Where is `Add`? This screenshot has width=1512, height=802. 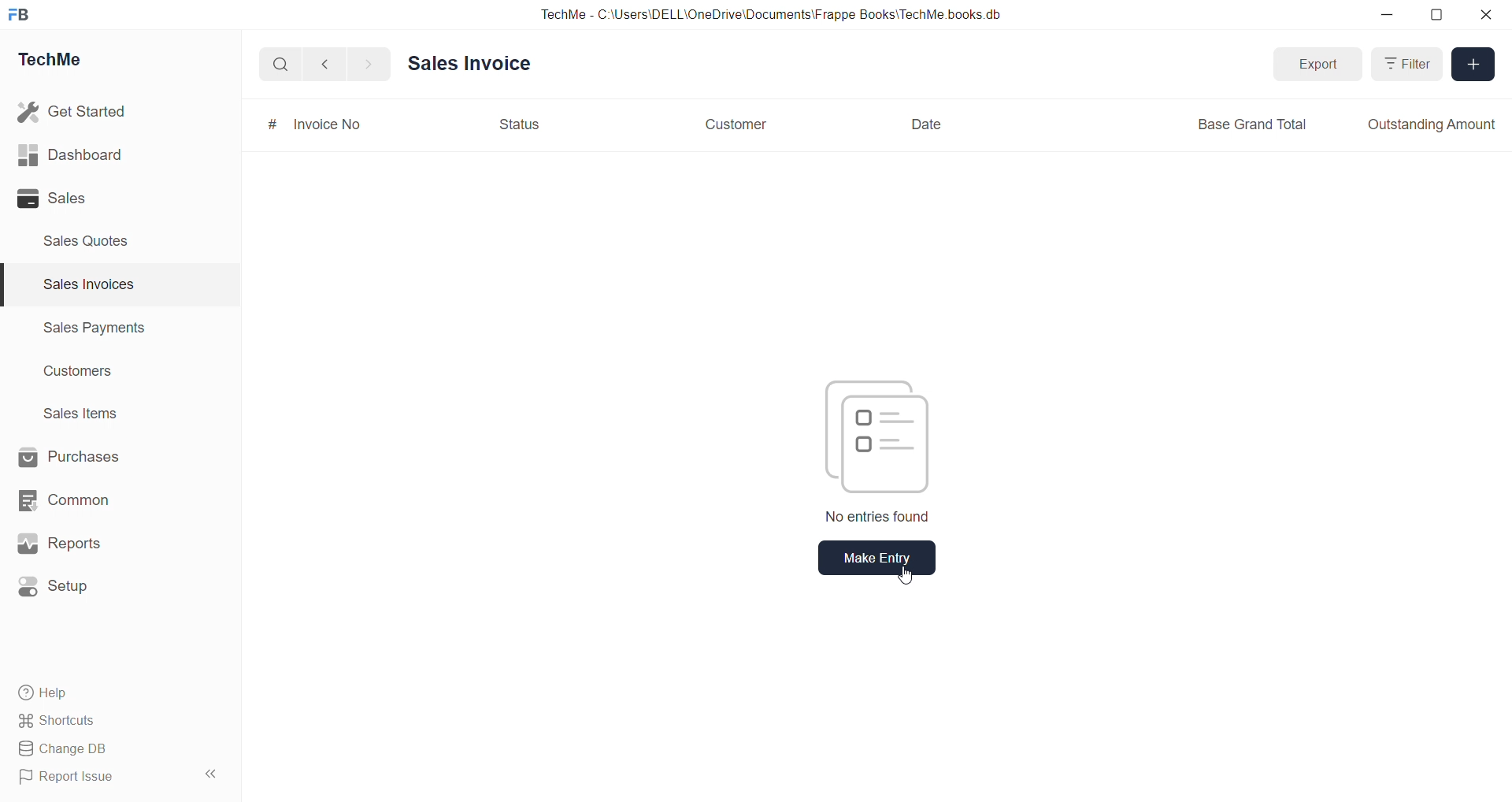
Add is located at coordinates (1474, 64).